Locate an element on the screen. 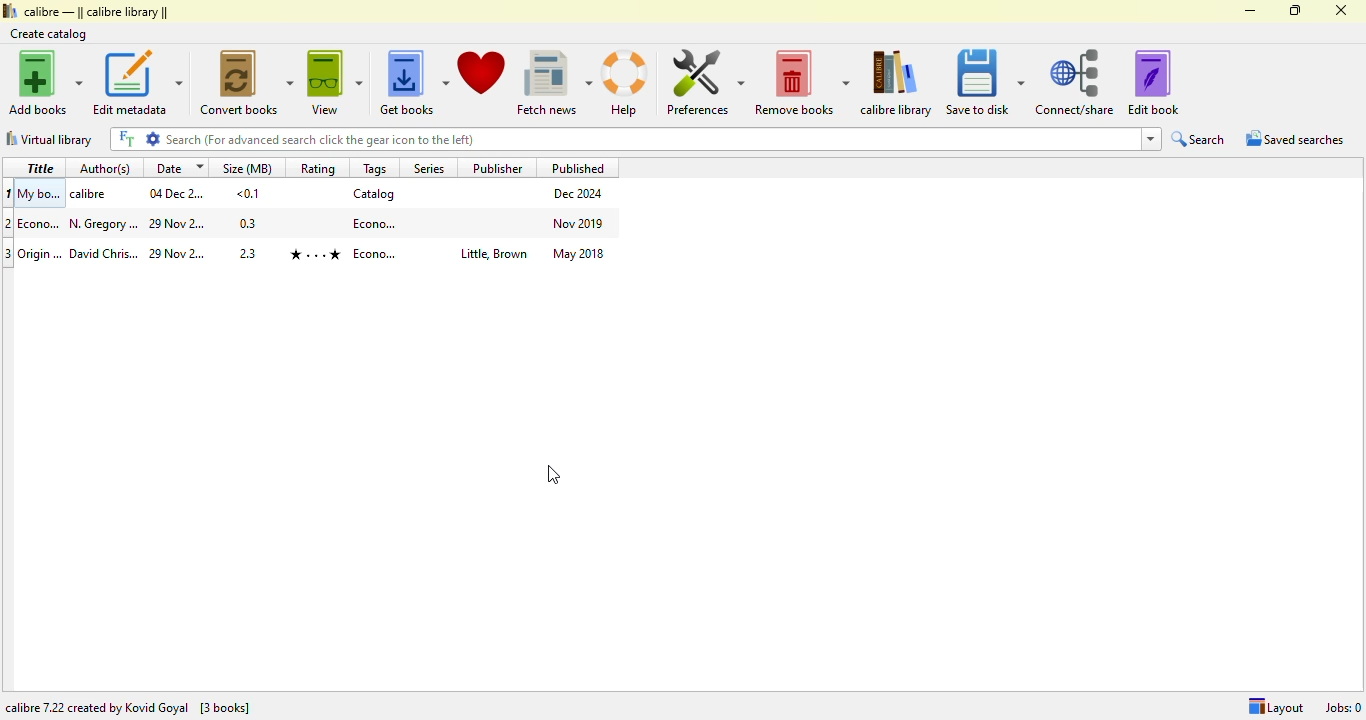 The image size is (1366, 720). catalog is located at coordinates (375, 193).